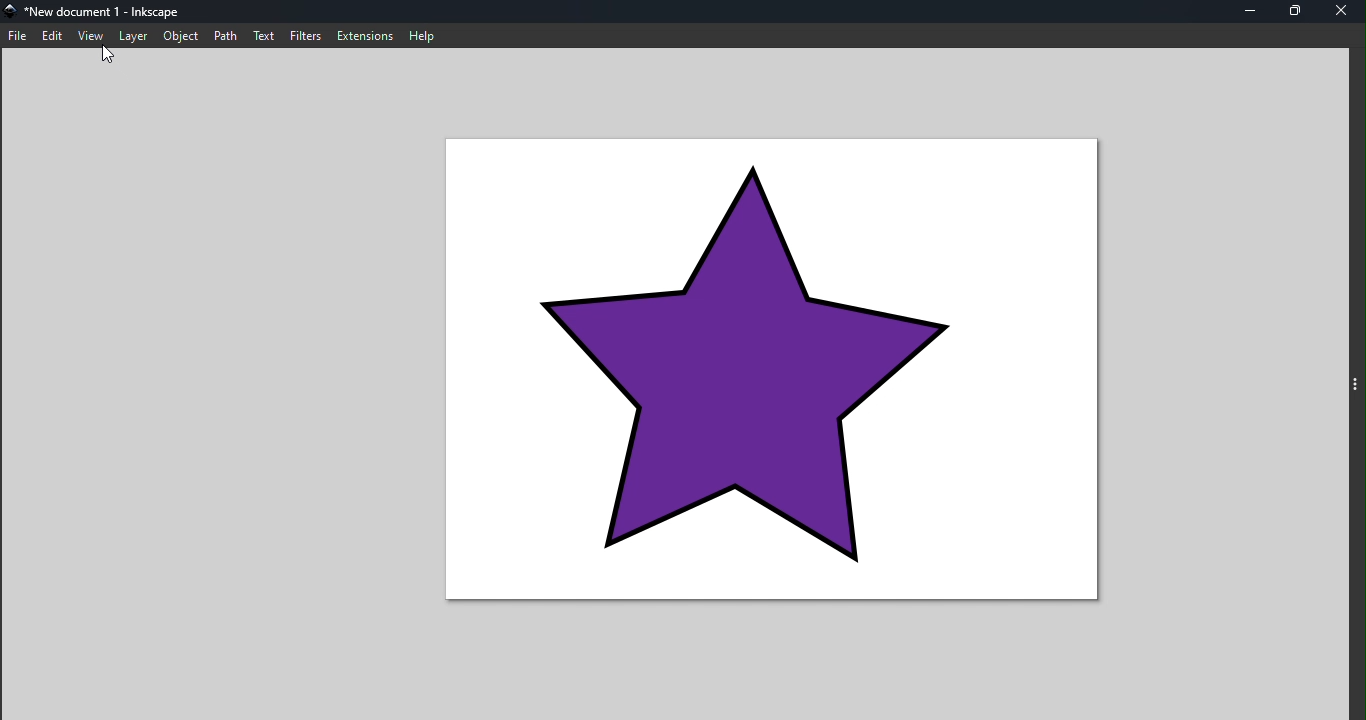  Describe the element at coordinates (97, 14) in the screenshot. I see `File name` at that location.